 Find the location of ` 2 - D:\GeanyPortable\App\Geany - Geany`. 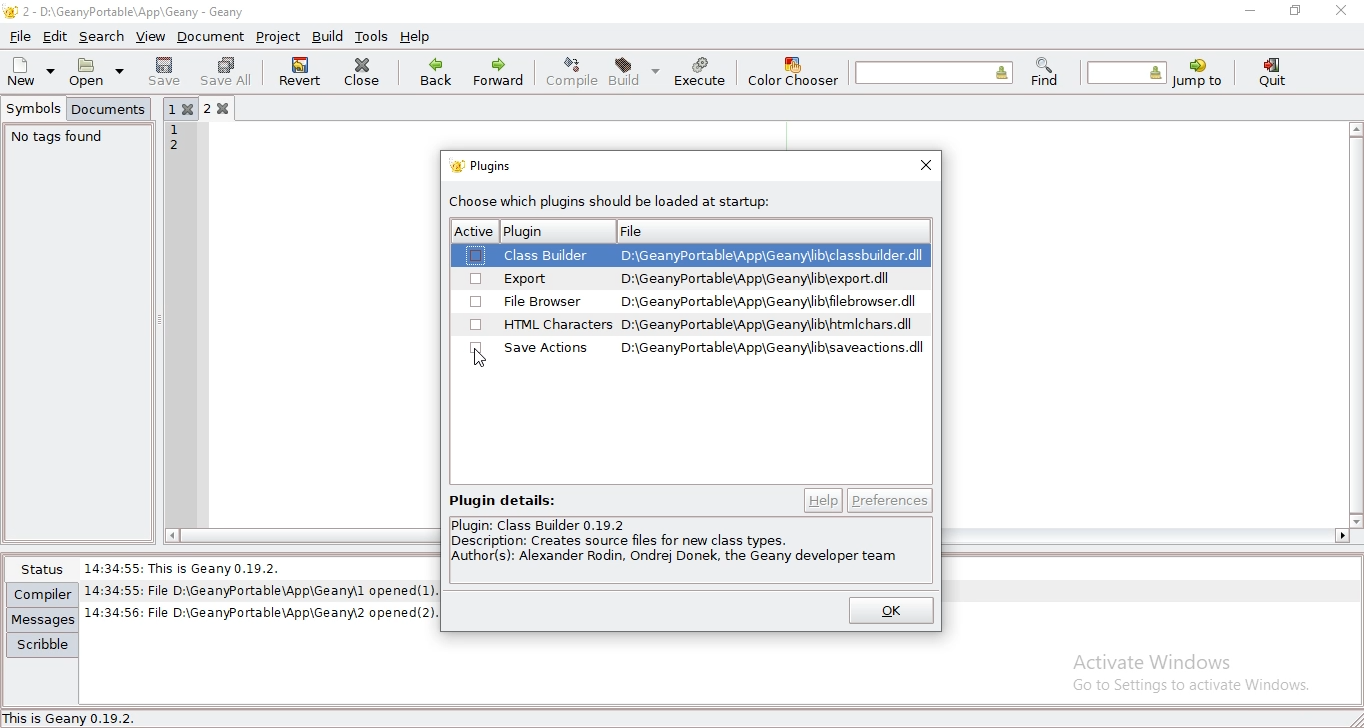

 2 - D:\GeanyPortable\App\Geany - Geany is located at coordinates (138, 11).